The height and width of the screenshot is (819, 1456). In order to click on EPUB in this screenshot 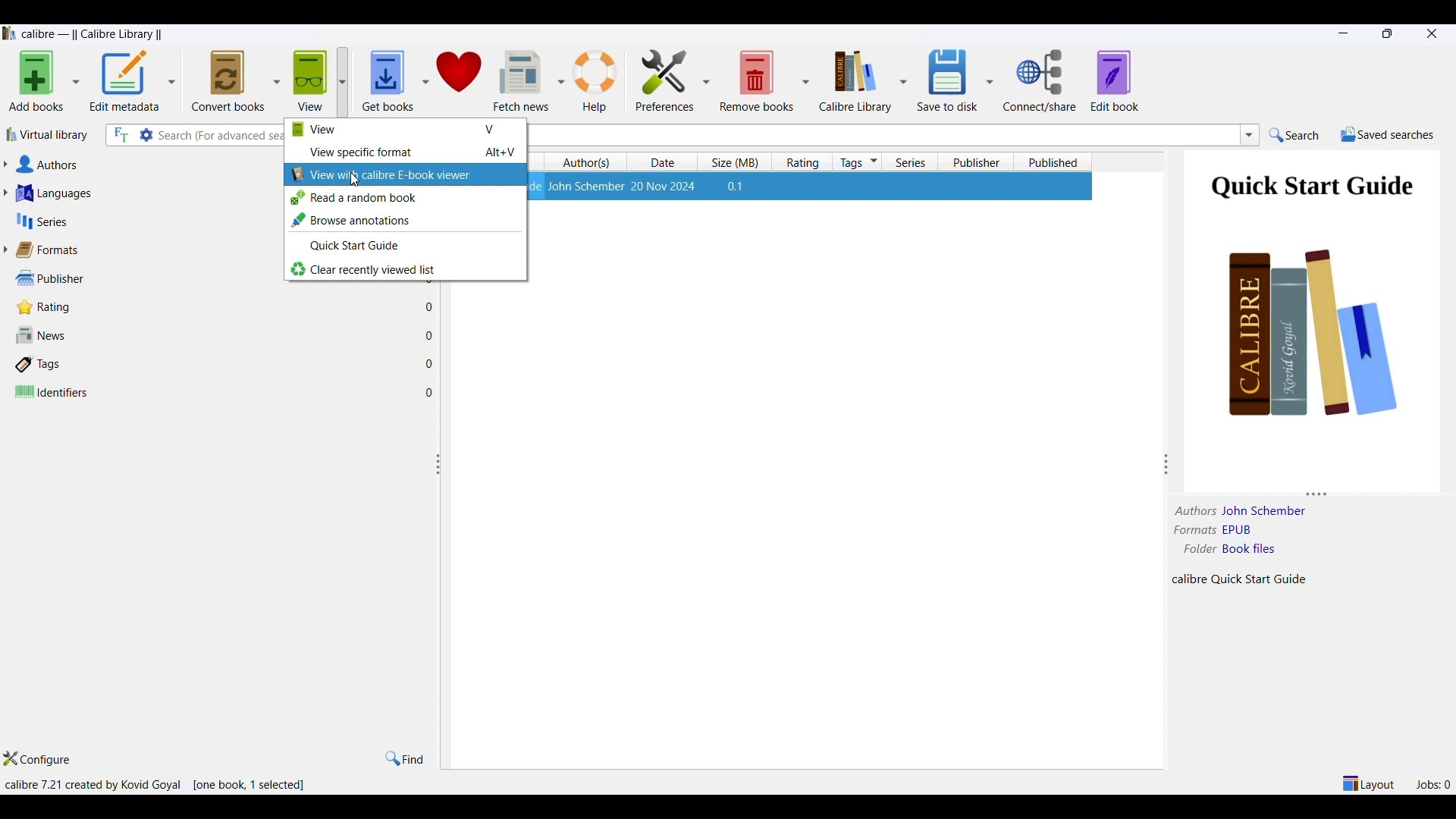, I will do `click(1275, 532)`.